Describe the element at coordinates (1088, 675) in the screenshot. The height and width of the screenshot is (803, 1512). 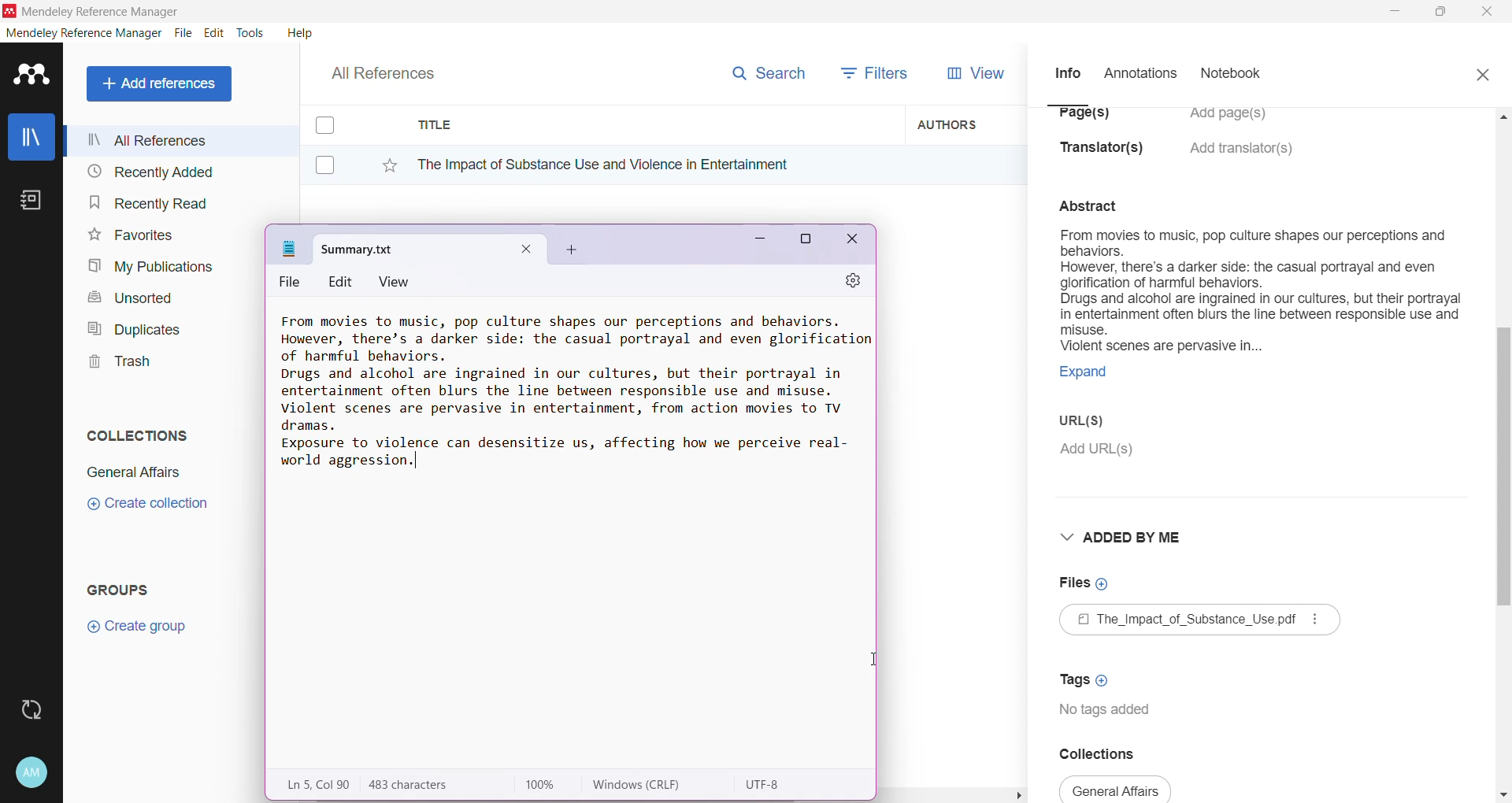
I see `Click to Add Tags` at that location.